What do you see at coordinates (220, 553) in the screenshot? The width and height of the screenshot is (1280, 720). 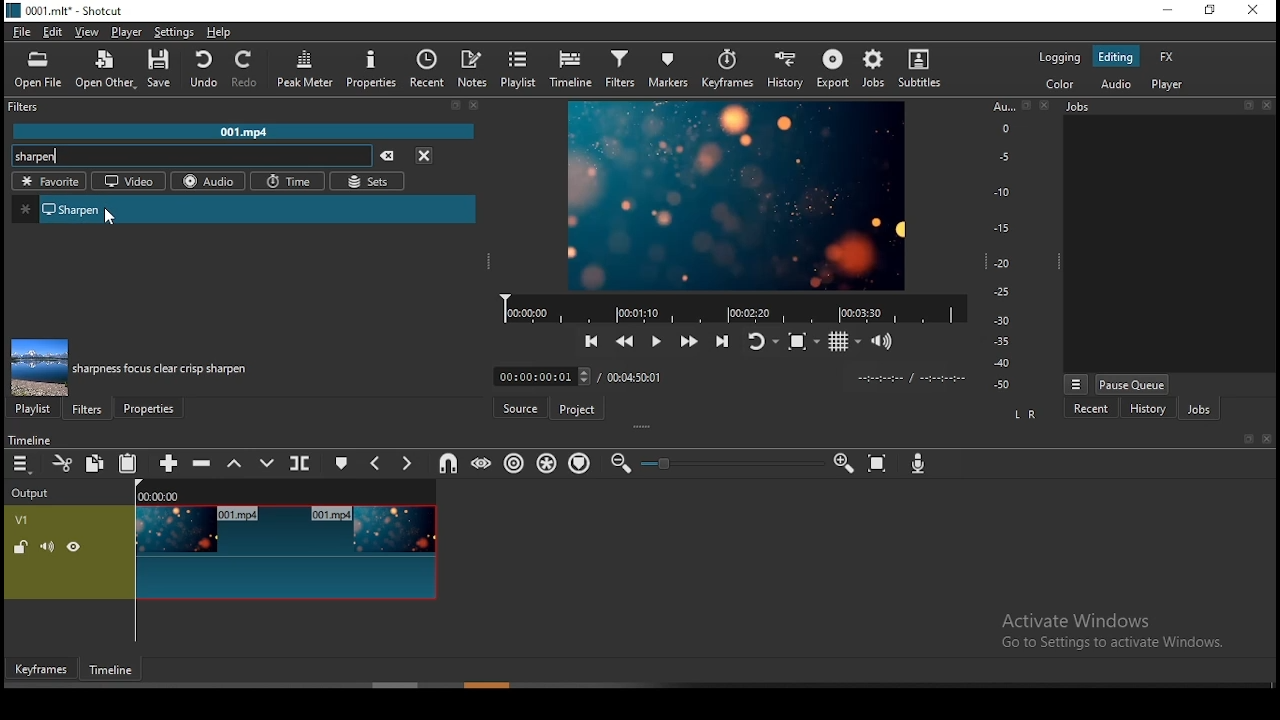 I see `video track ` at bounding box center [220, 553].